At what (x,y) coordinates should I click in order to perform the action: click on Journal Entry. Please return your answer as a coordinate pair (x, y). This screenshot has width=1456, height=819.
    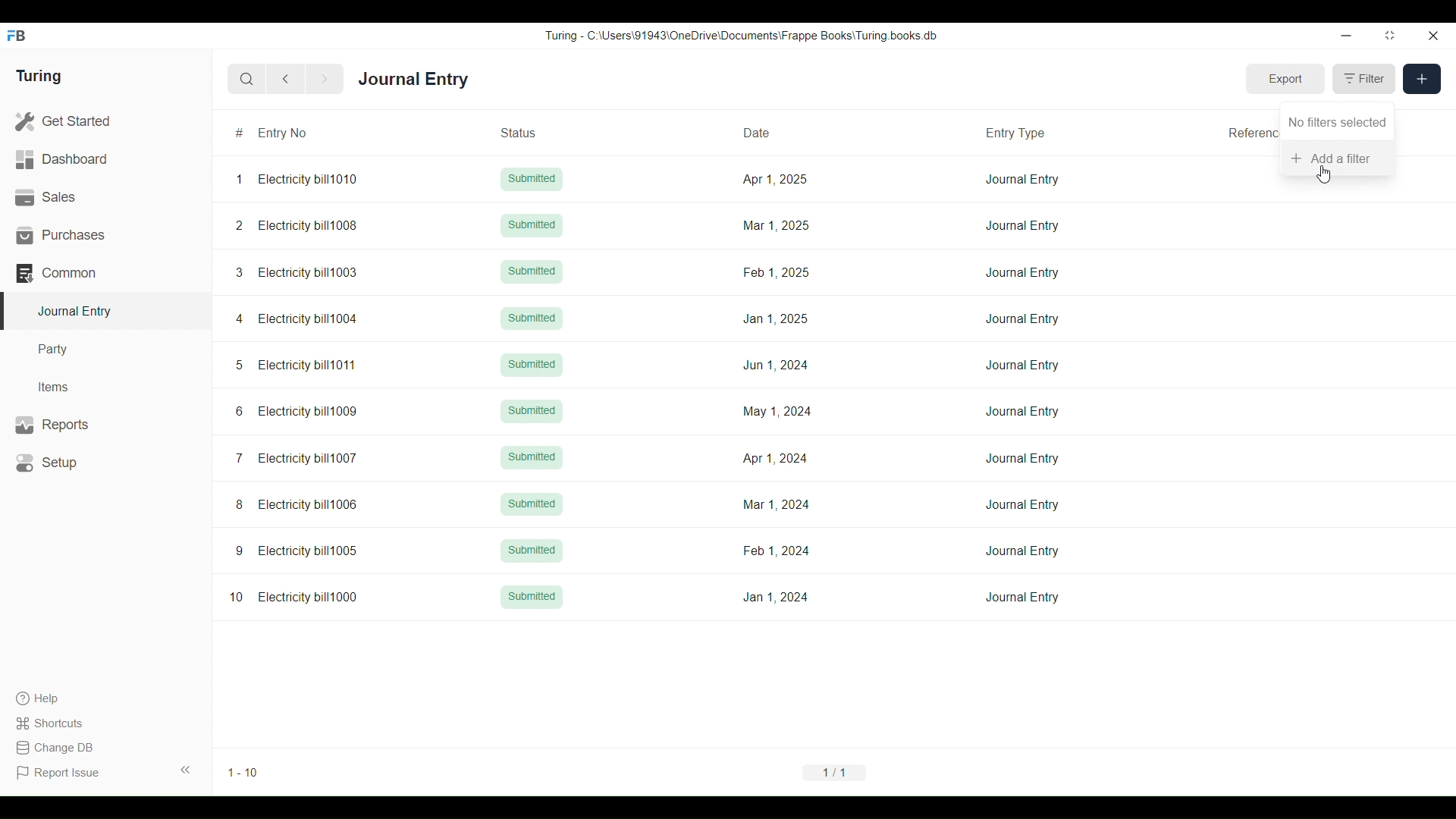
    Looking at the image, I should click on (1022, 365).